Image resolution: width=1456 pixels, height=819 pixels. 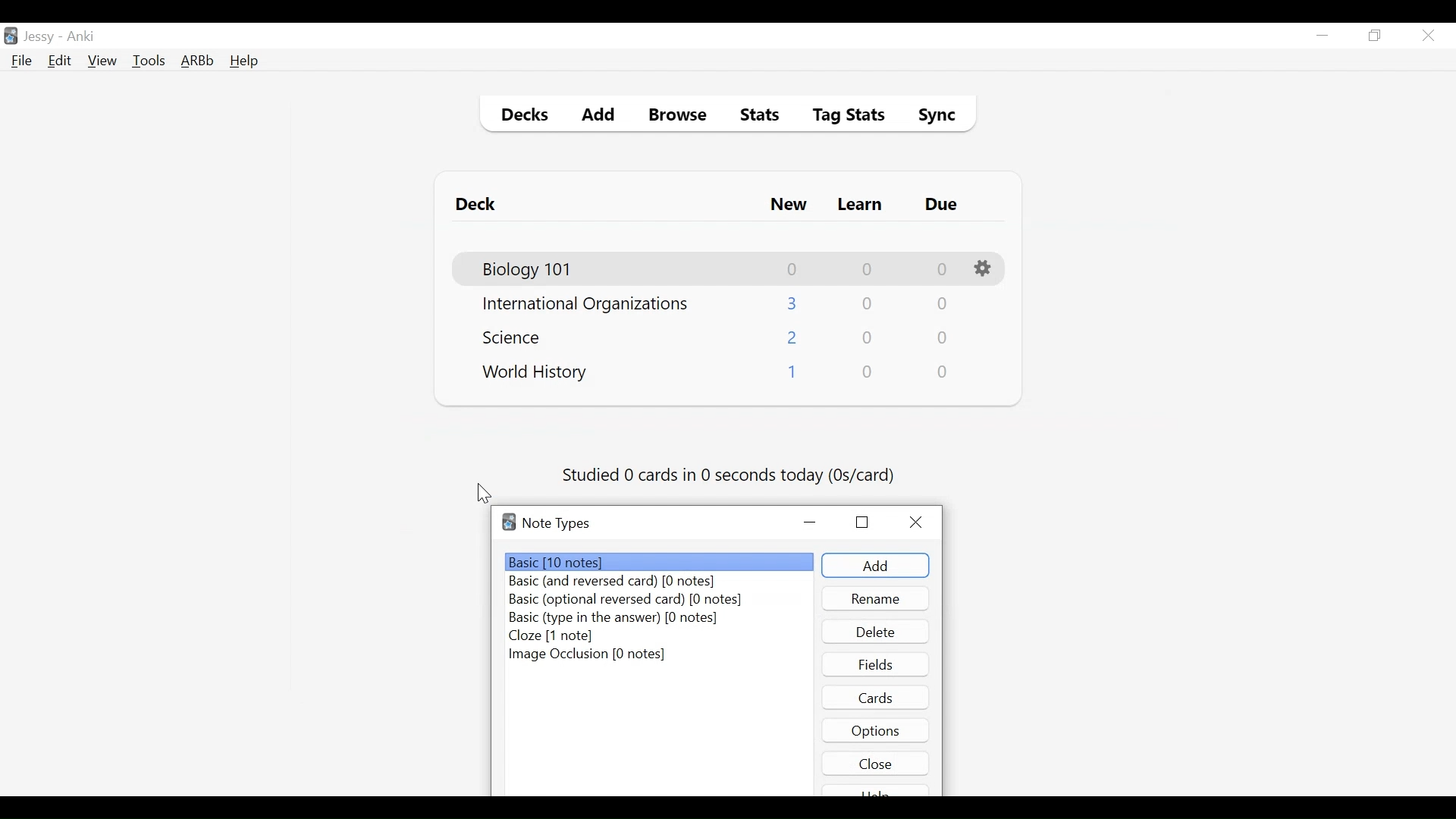 What do you see at coordinates (755, 115) in the screenshot?
I see `Stats` at bounding box center [755, 115].